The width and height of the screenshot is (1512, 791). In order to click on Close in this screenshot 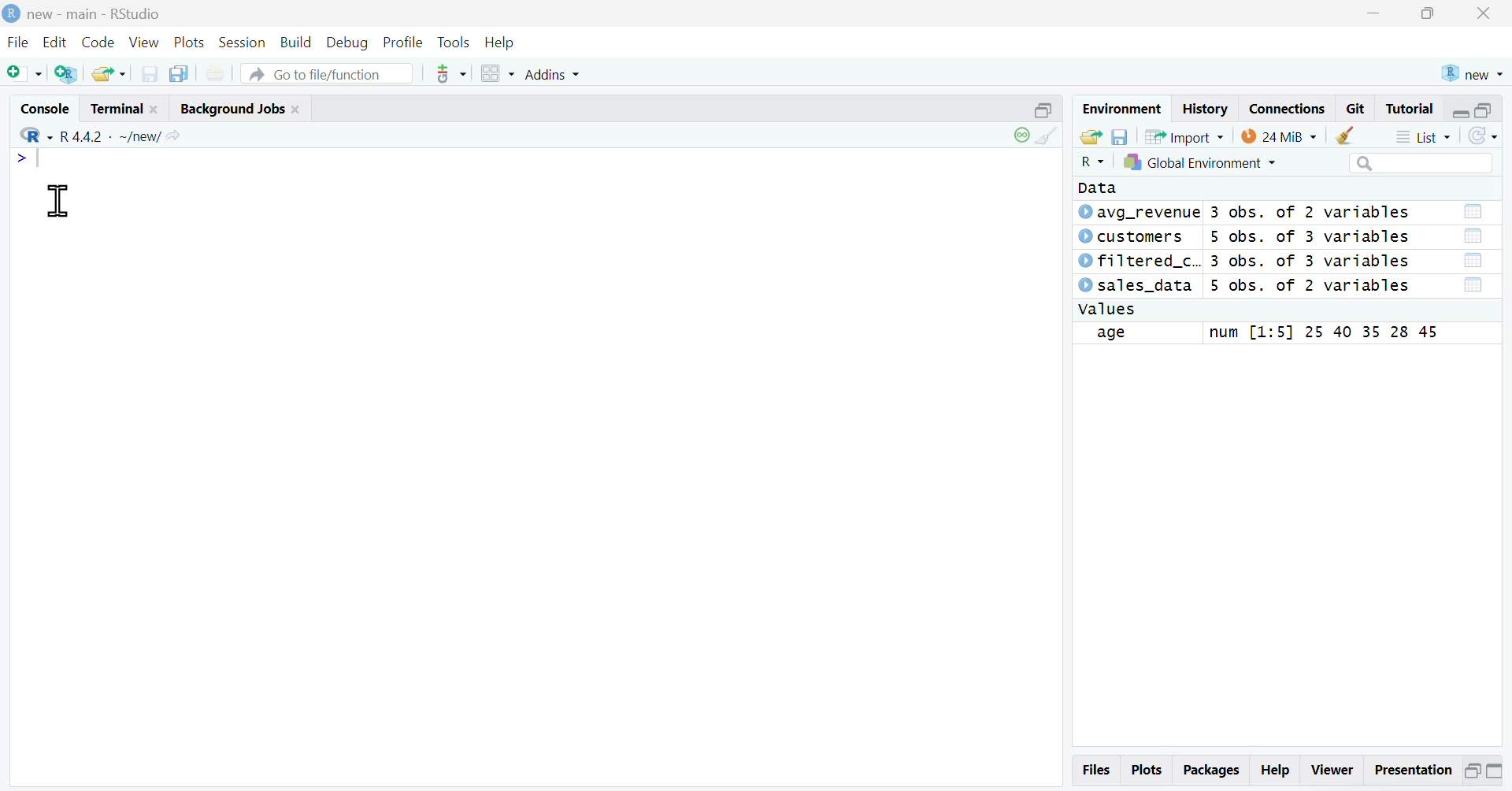, I will do `click(1483, 14)`.